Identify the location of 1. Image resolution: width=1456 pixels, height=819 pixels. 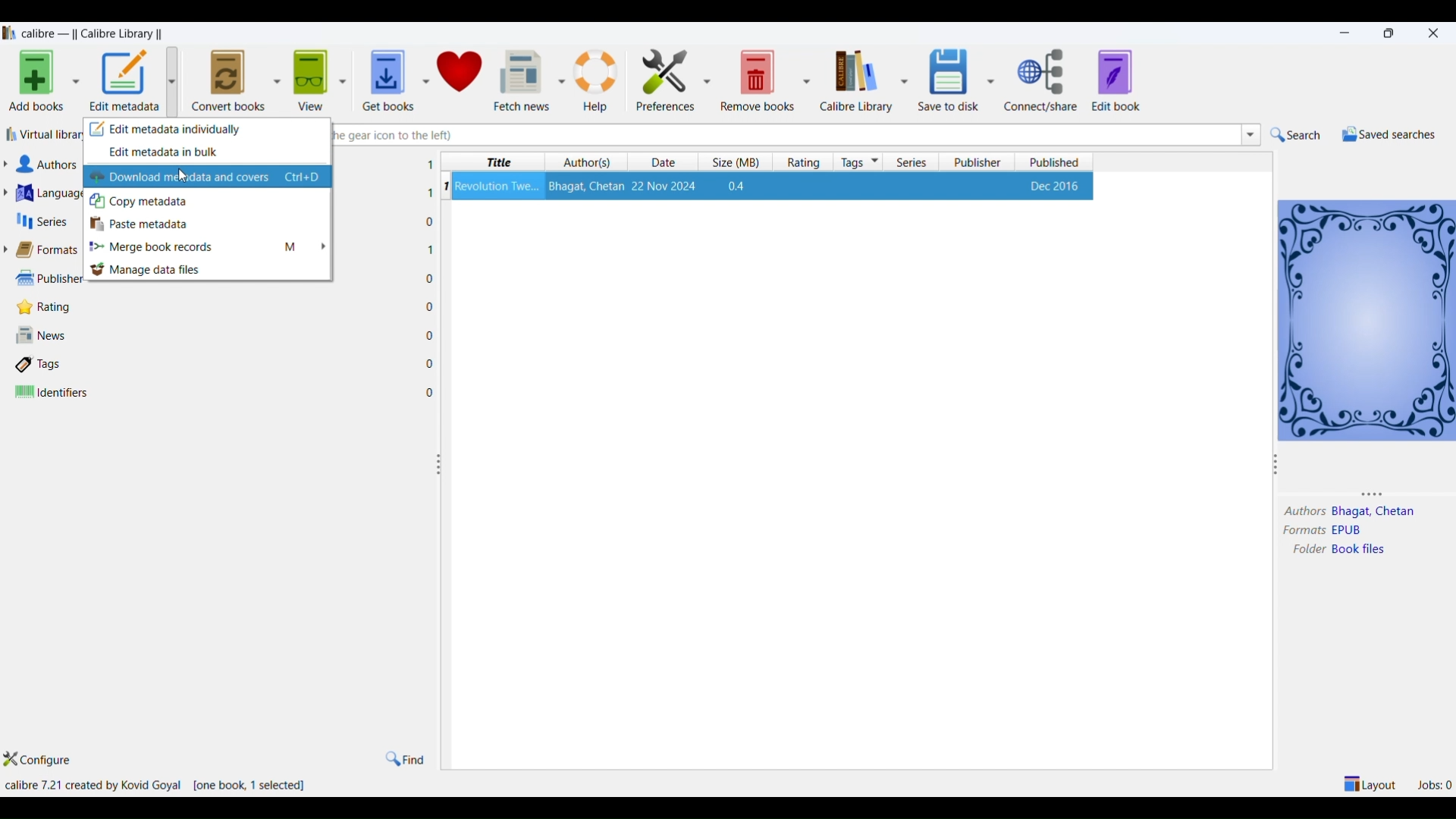
(431, 249).